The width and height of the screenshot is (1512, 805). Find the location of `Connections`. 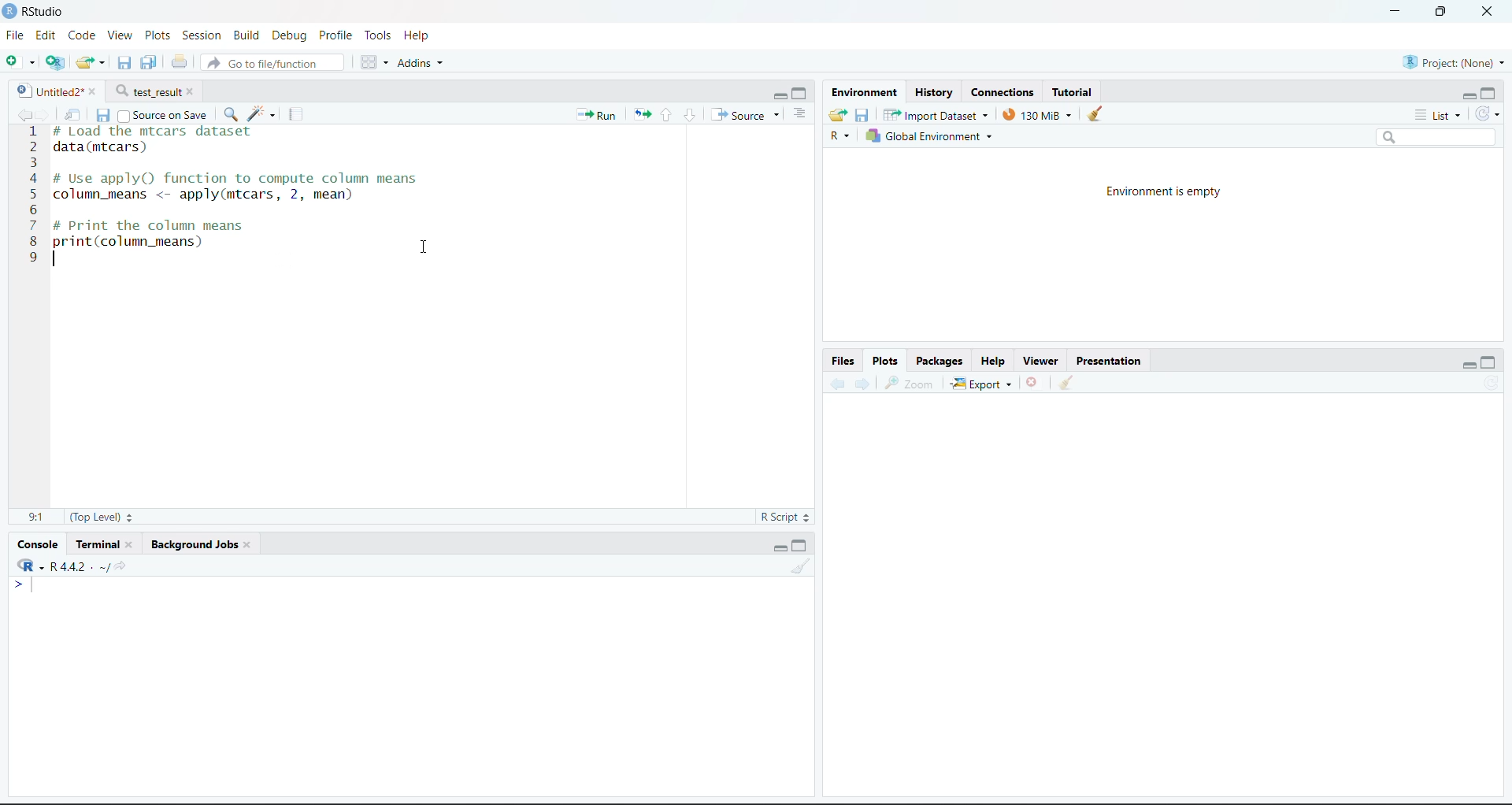

Connections is located at coordinates (1004, 92).